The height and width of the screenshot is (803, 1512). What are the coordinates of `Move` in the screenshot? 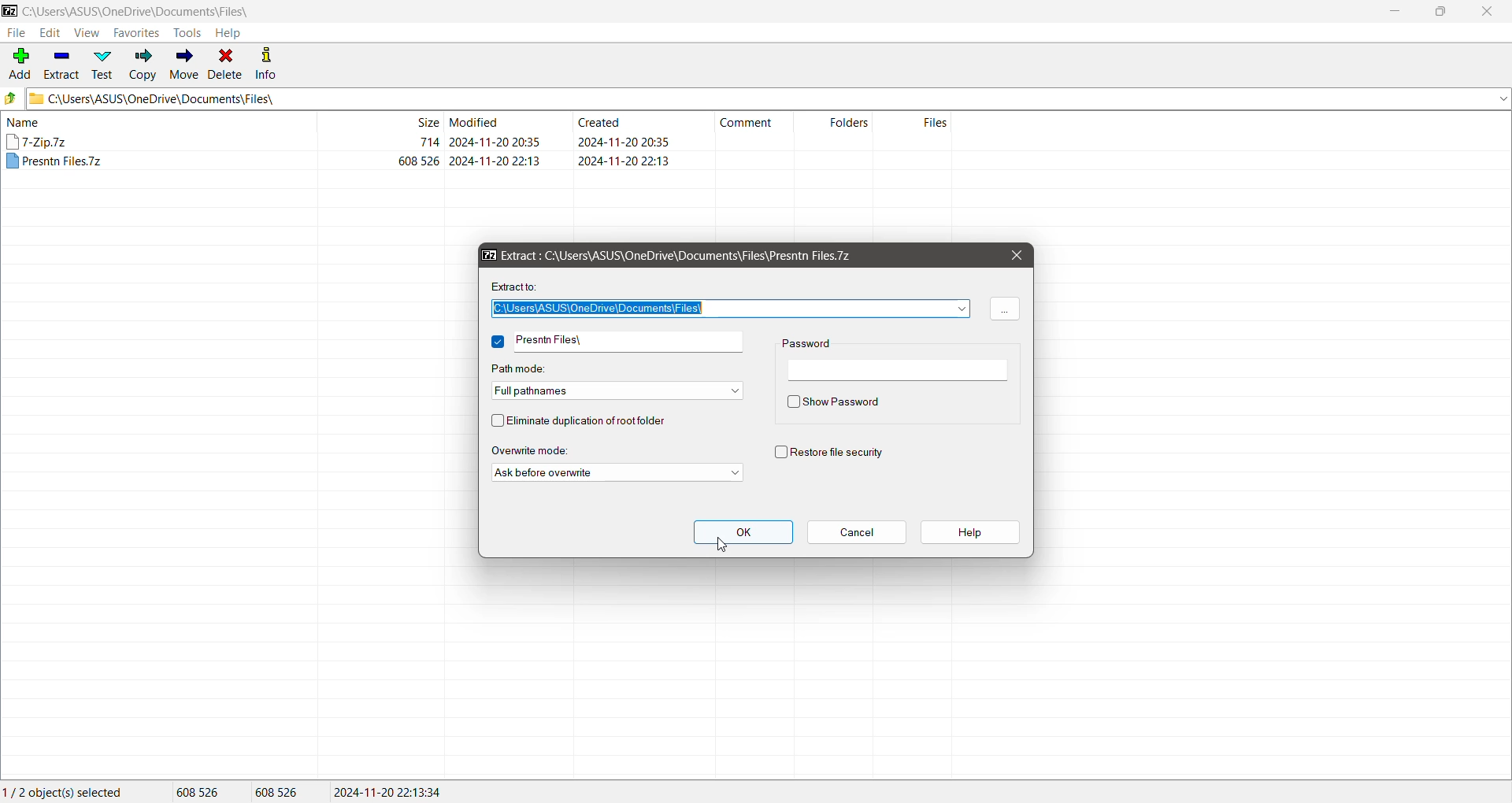 It's located at (185, 65).